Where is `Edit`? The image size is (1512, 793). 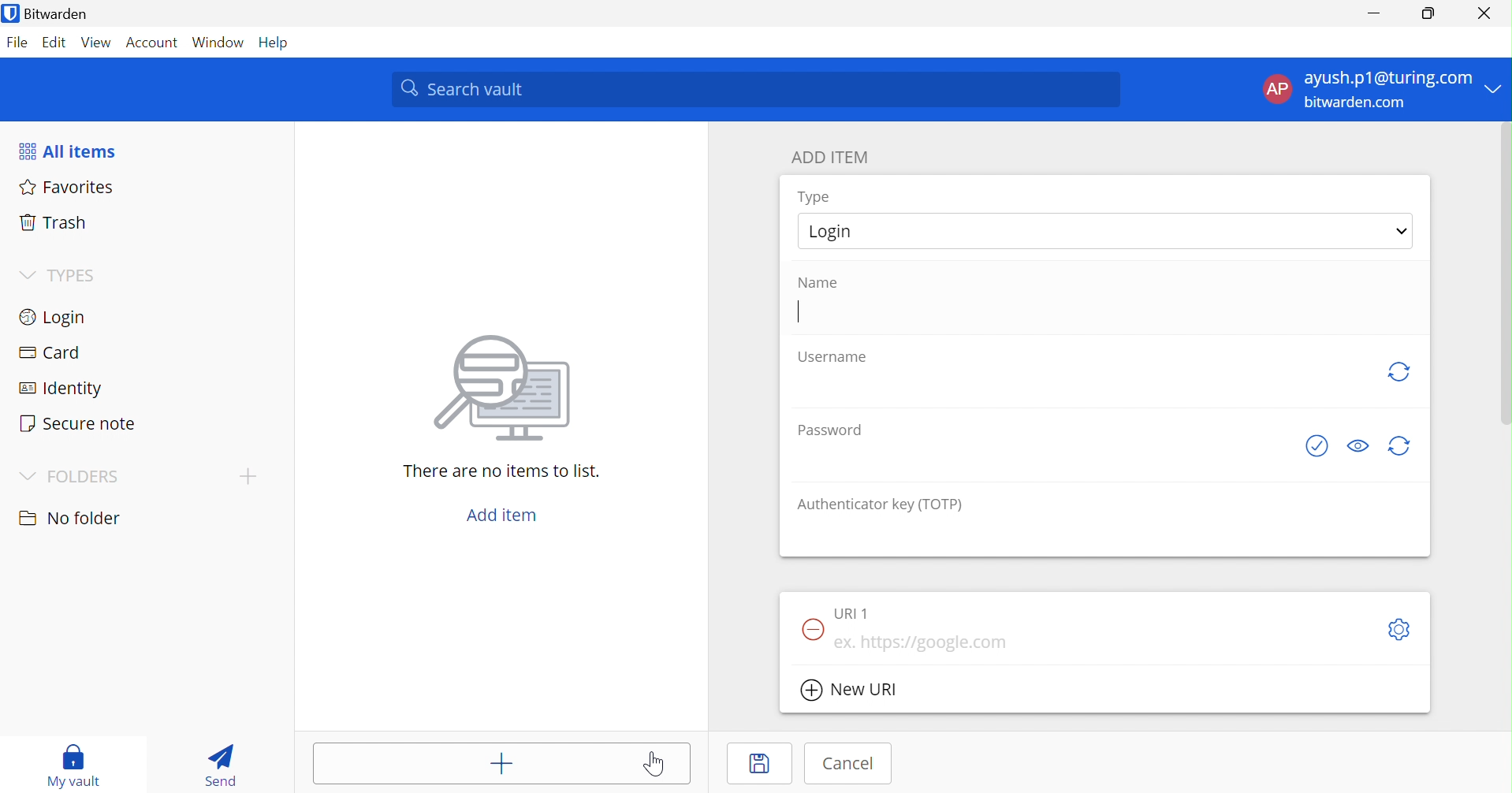
Edit is located at coordinates (56, 43).